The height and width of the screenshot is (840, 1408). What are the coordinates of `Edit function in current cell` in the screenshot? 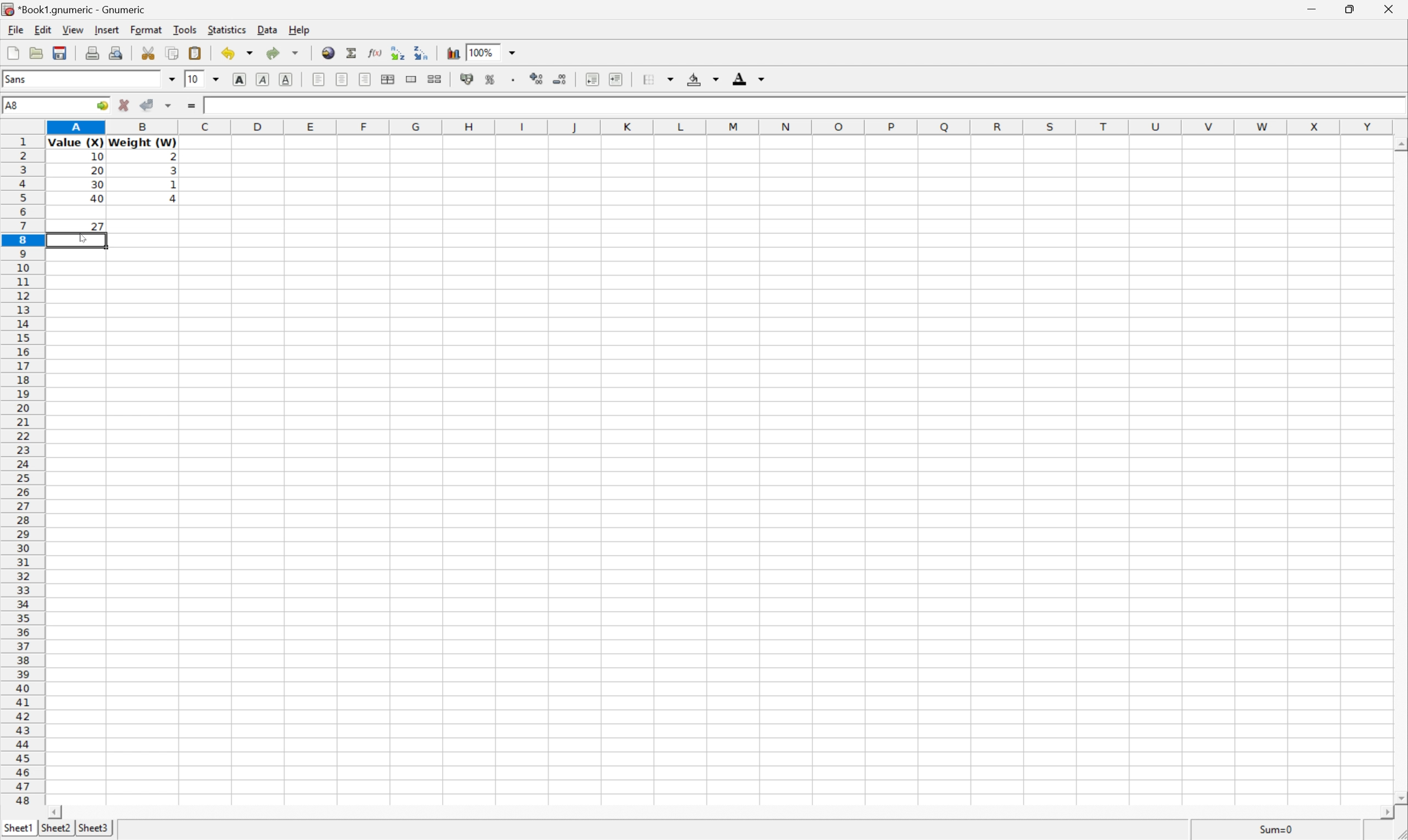 It's located at (375, 53).